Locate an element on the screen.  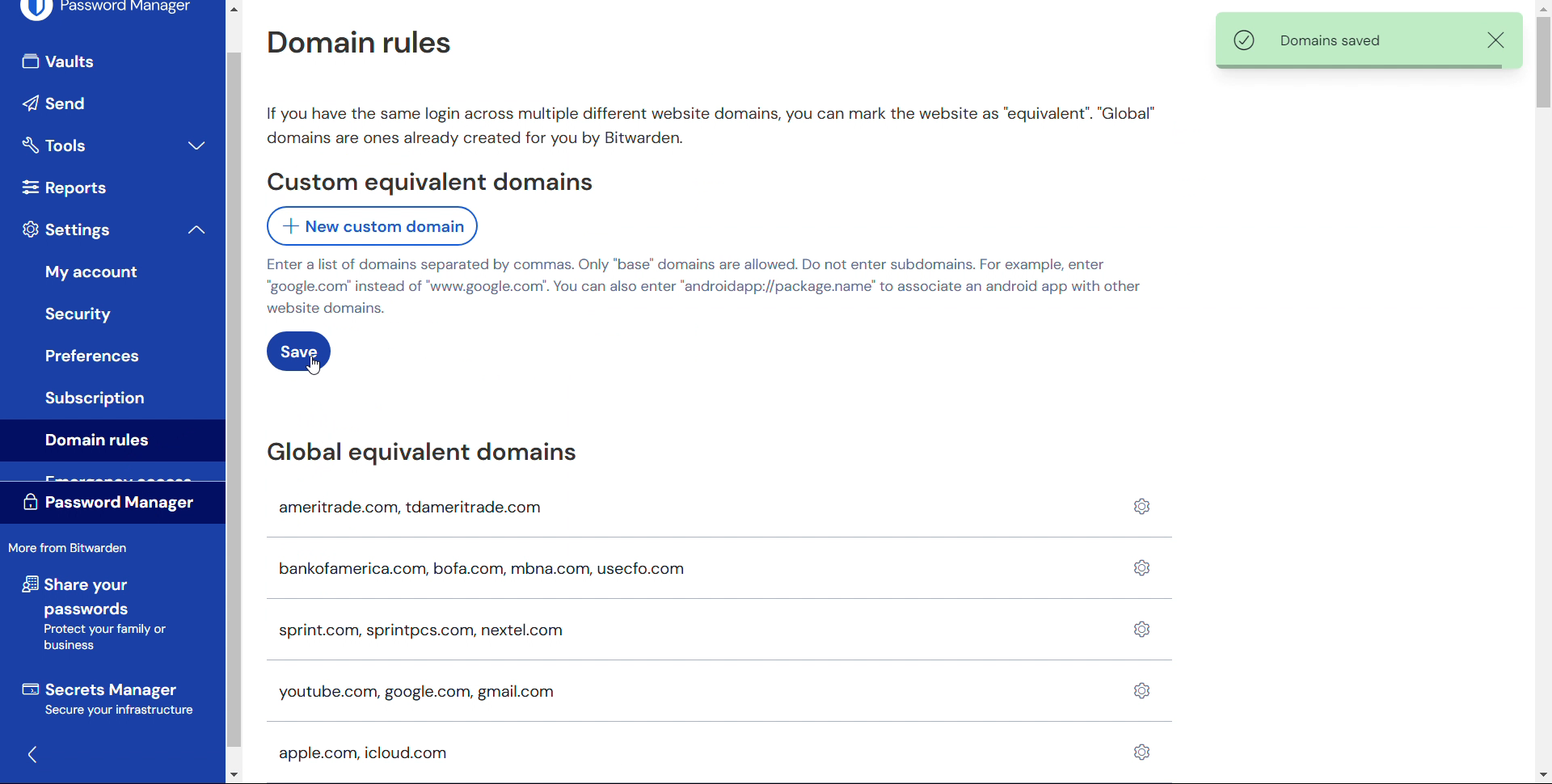
Subscription  is located at coordinates (95, 398).